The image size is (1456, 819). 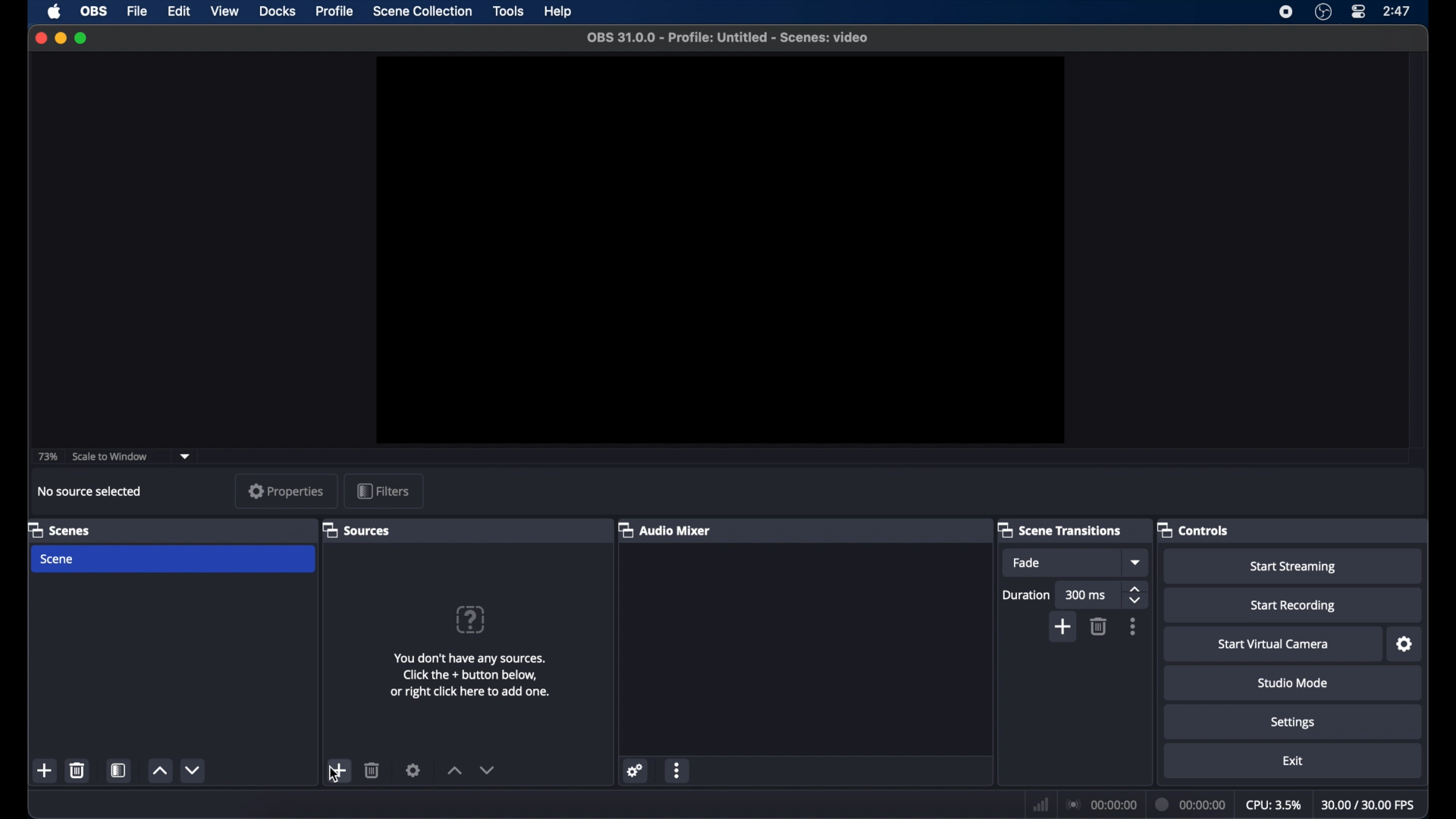 I want to click on add, so click(x=338, y=770).